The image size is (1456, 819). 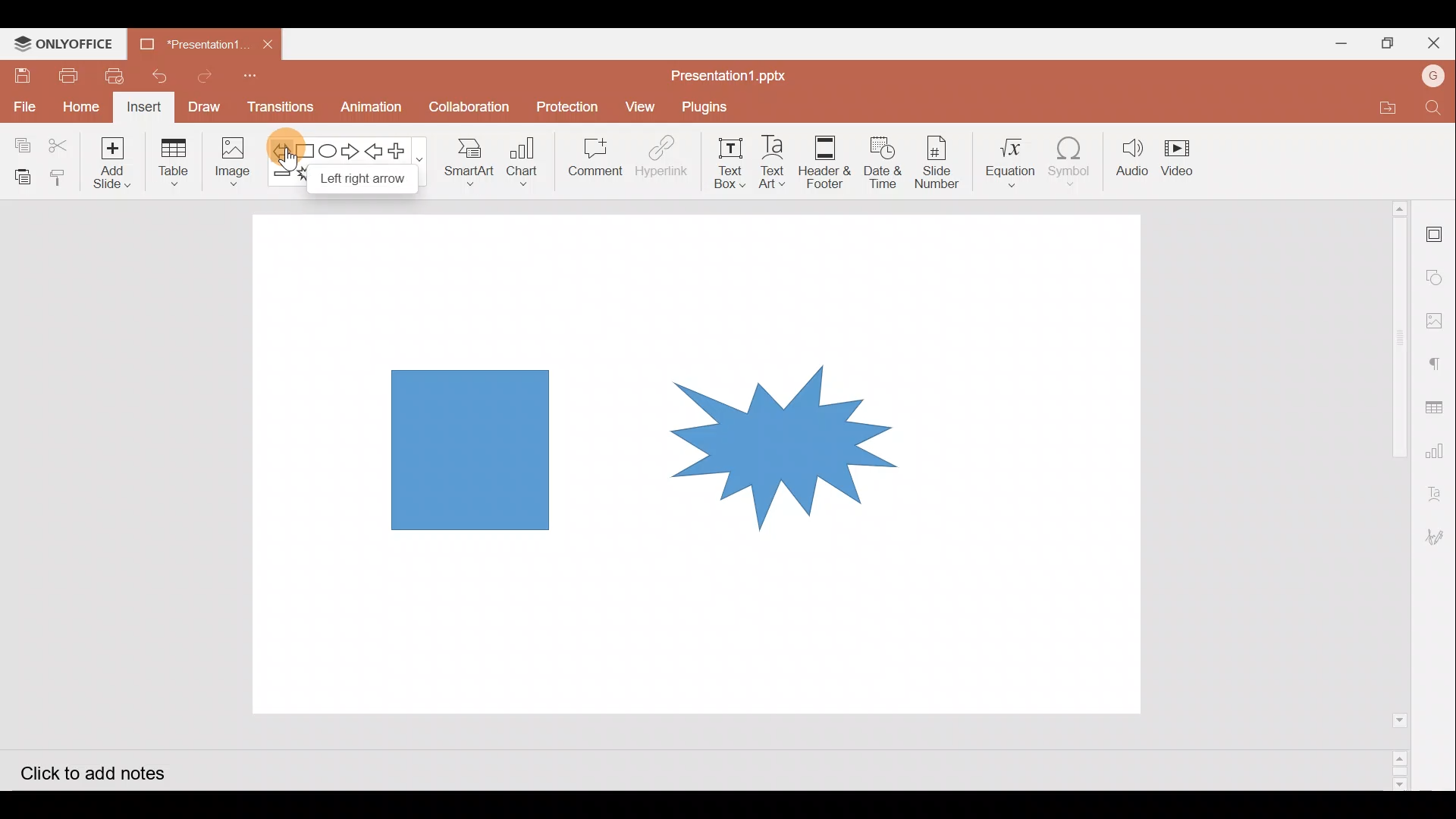 I want to click on Symbol, so click(x=1075, y=161).